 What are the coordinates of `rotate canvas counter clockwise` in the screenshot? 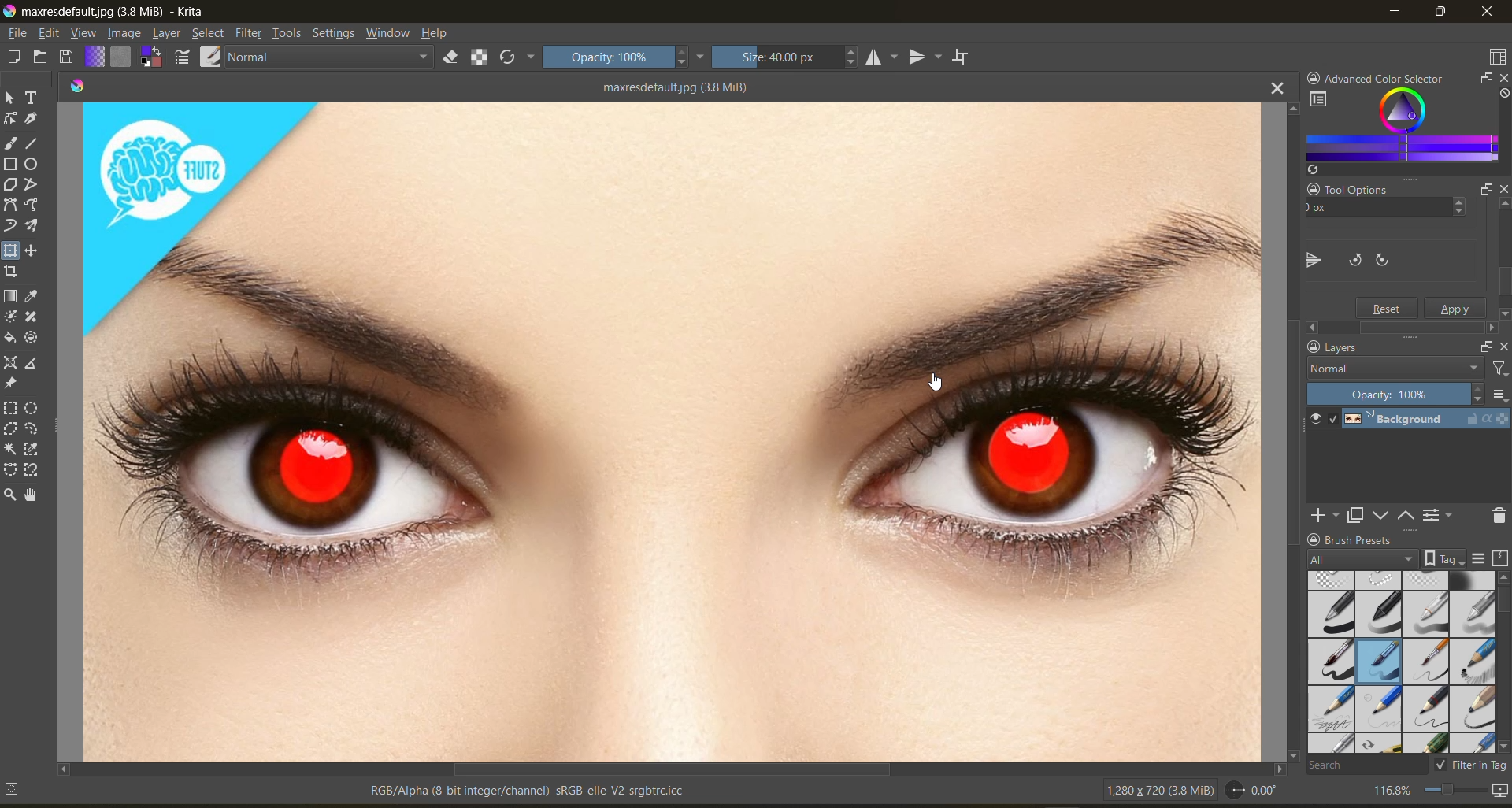 It's located at (1416, 261).